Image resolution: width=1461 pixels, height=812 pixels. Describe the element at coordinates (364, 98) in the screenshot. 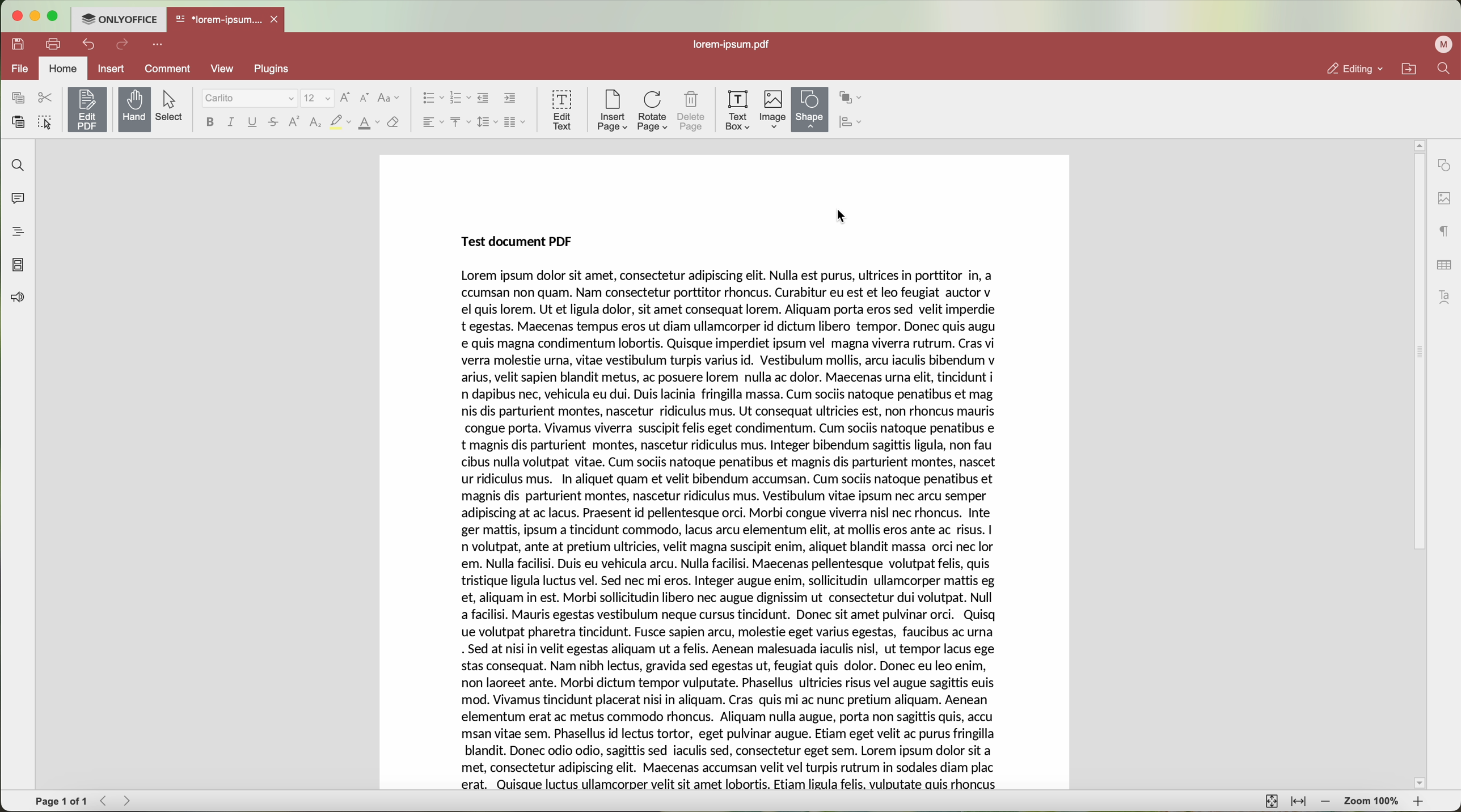

I see `decrement font size` at that location.